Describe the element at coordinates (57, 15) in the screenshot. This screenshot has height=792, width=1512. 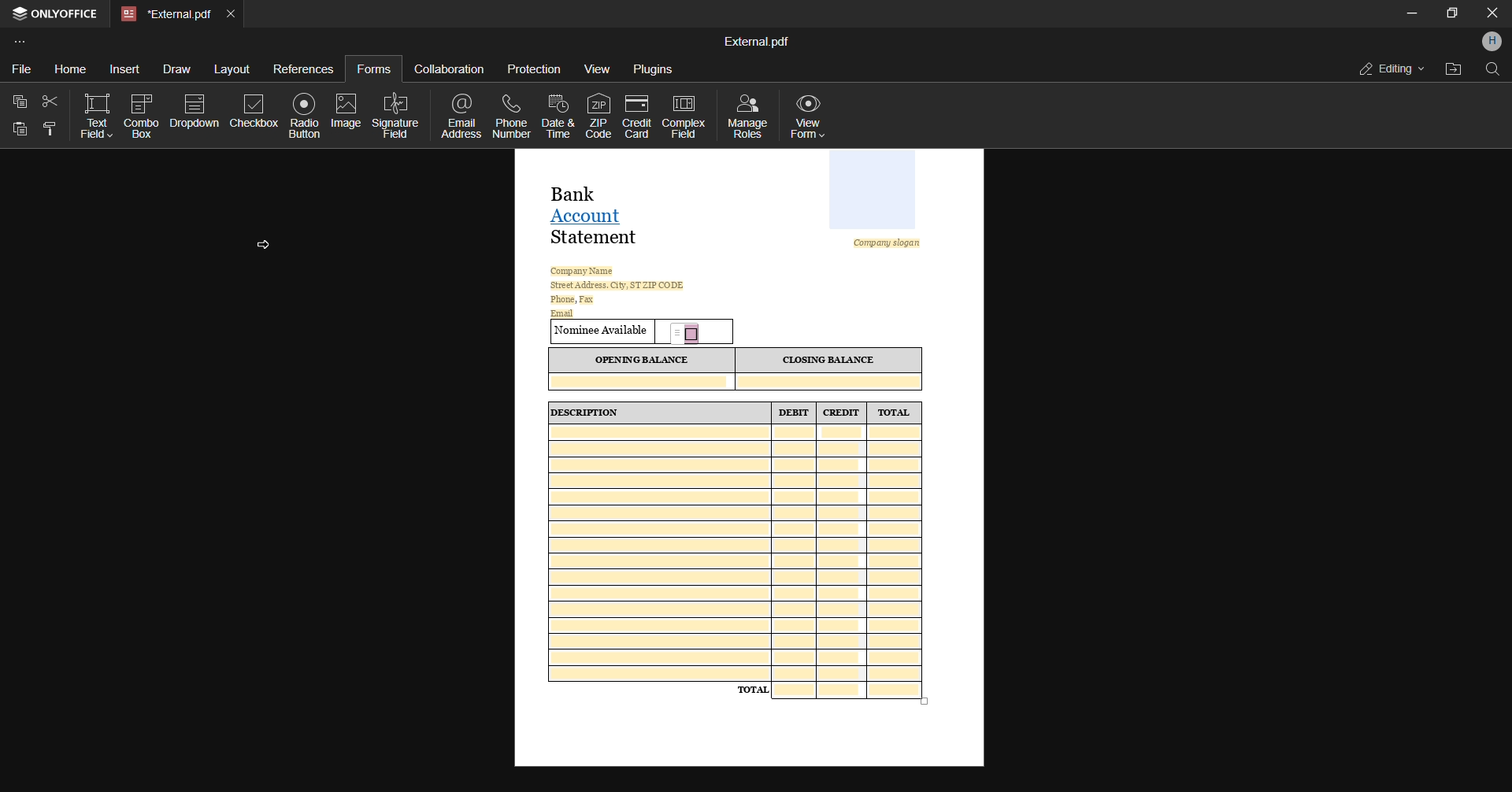
I see `onlyoffice tab` at that location.